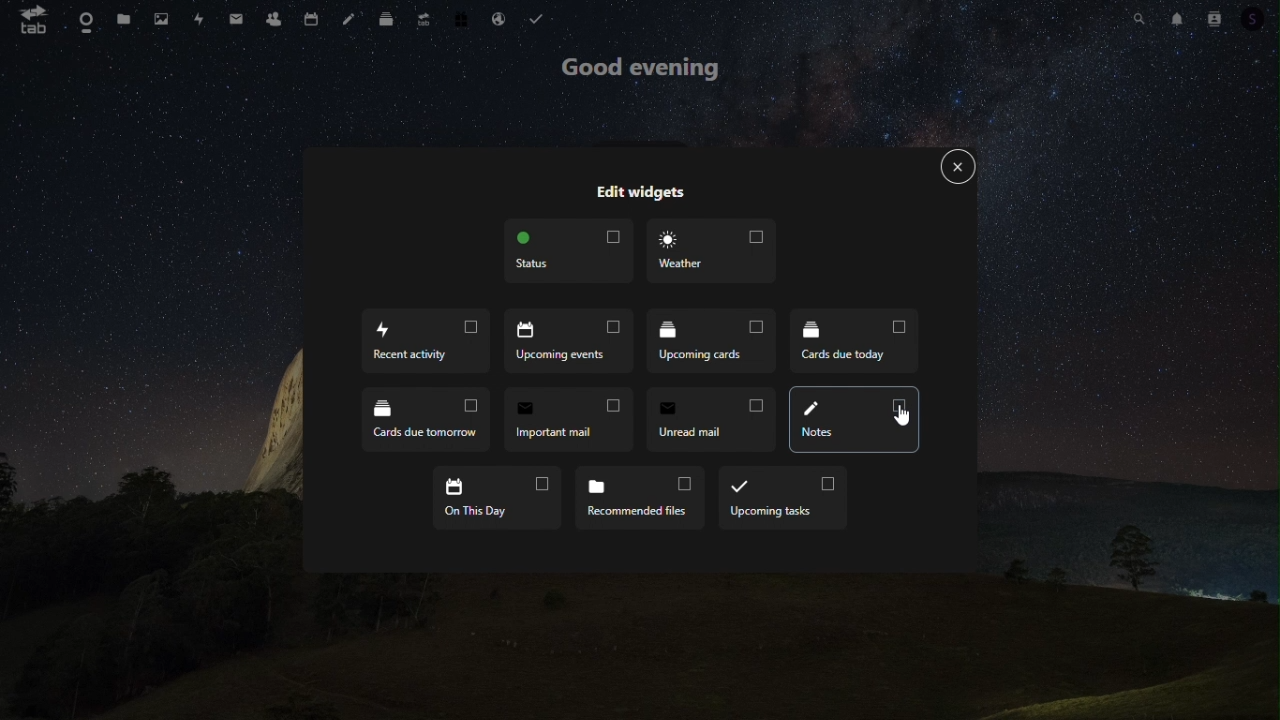 Image resolution: width=1280 pixels, height=720 pixels. Describe the element at coordinates (901, 416) in the screenshot. I see `Cursor` at that location.